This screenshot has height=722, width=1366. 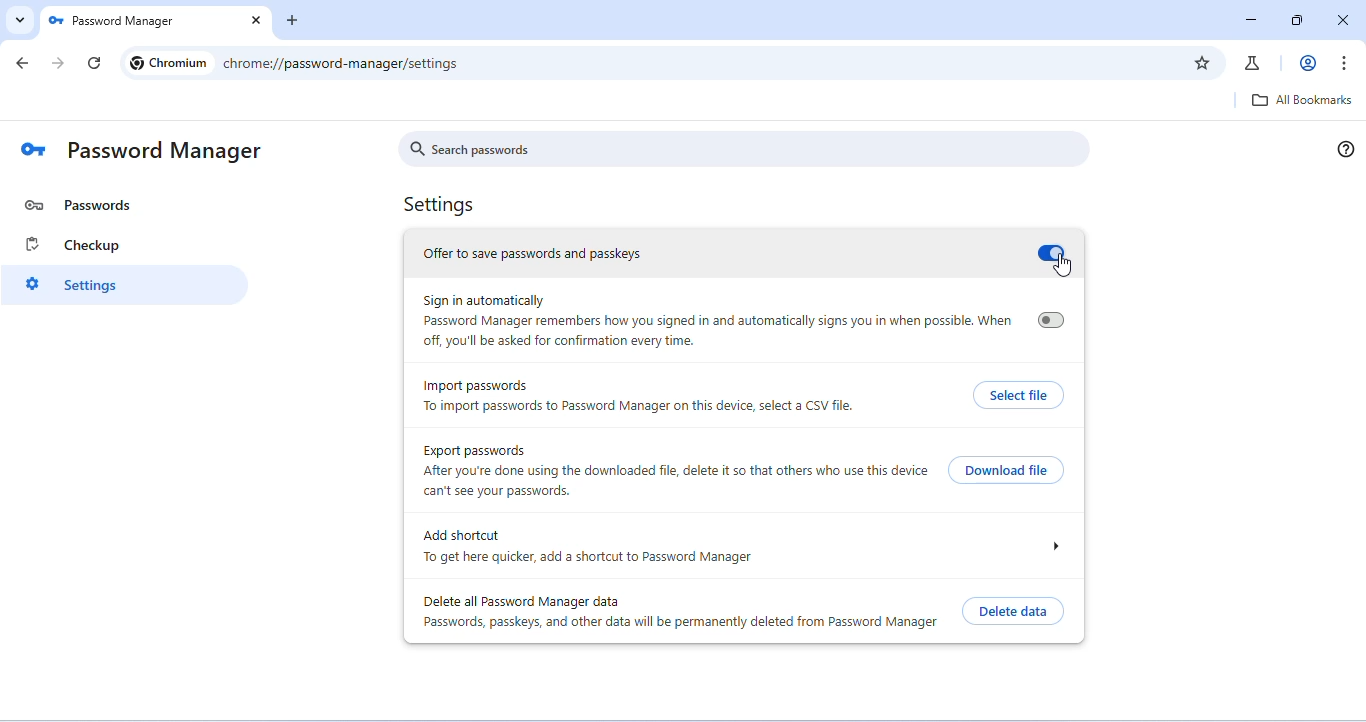 What do you see at coordinates (168, 62) in the screenshot?
I see `Chromium` at bounding box center [168, 62].